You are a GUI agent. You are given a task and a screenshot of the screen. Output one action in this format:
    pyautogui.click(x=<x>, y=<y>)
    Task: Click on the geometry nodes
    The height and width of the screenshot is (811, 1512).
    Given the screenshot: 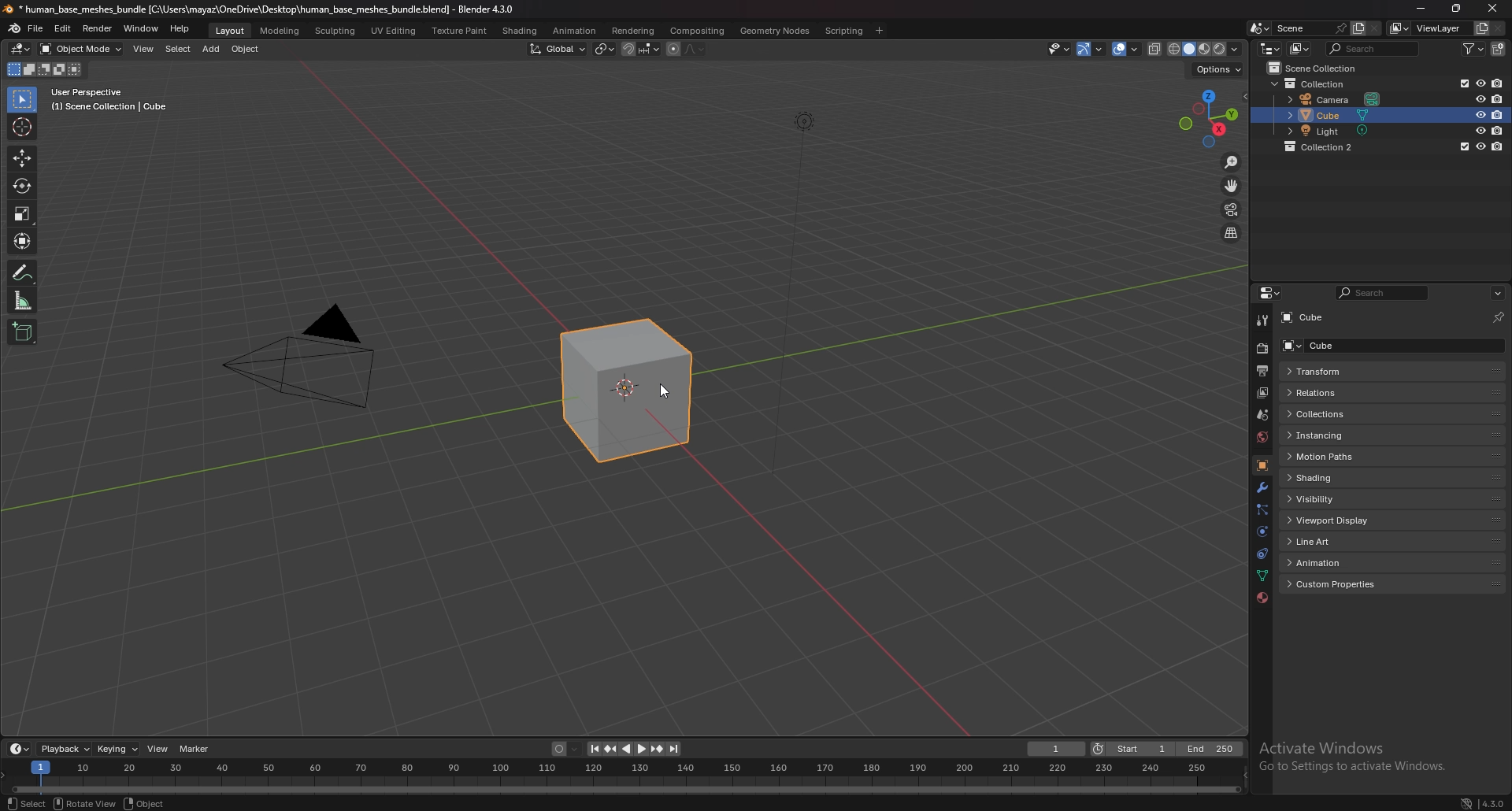 What is the action you would take?
    pyautogui.click(x=774, y=31)
    